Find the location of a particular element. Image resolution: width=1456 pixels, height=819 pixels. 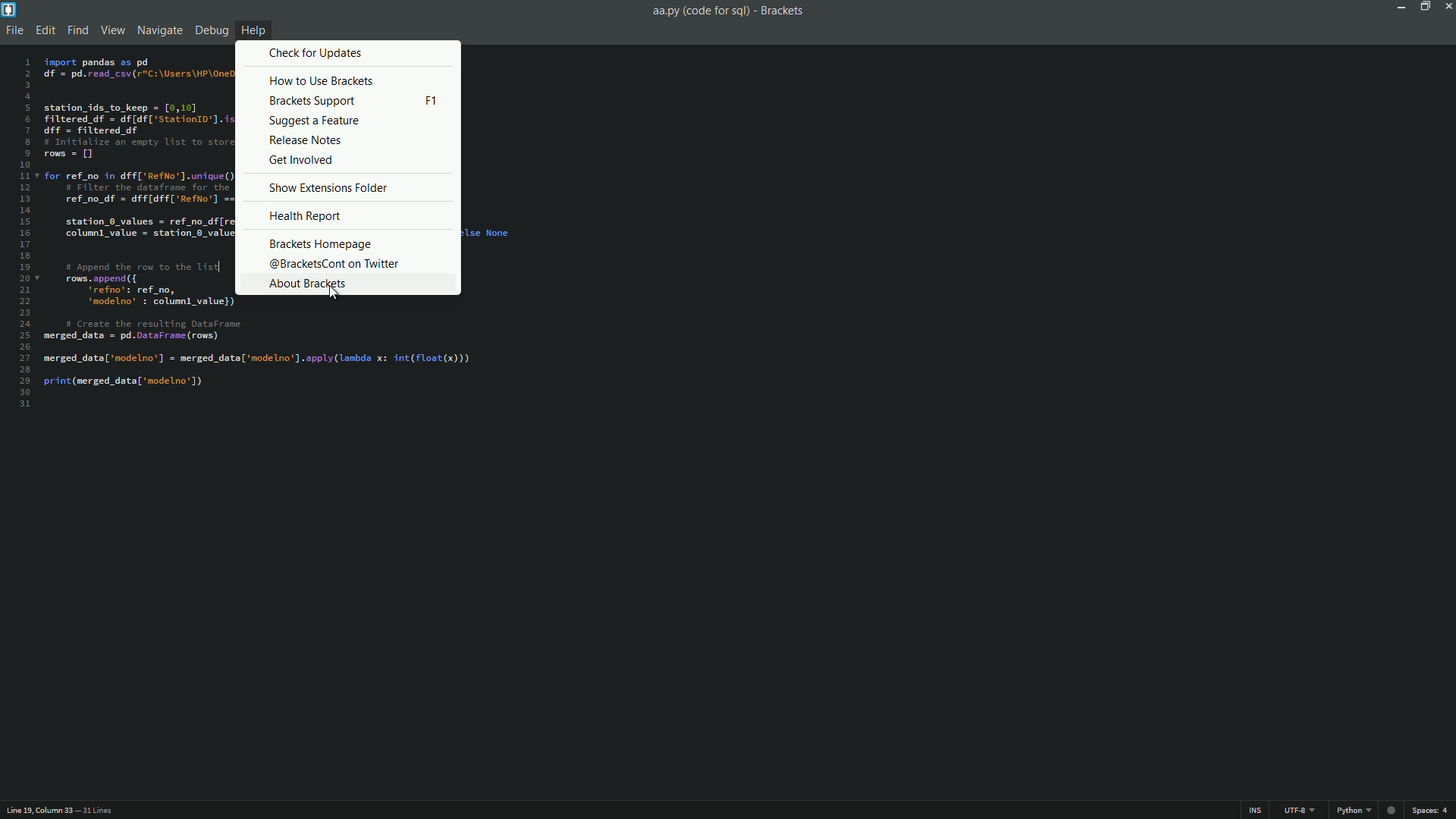

app name is located at coordinates (783, 11).